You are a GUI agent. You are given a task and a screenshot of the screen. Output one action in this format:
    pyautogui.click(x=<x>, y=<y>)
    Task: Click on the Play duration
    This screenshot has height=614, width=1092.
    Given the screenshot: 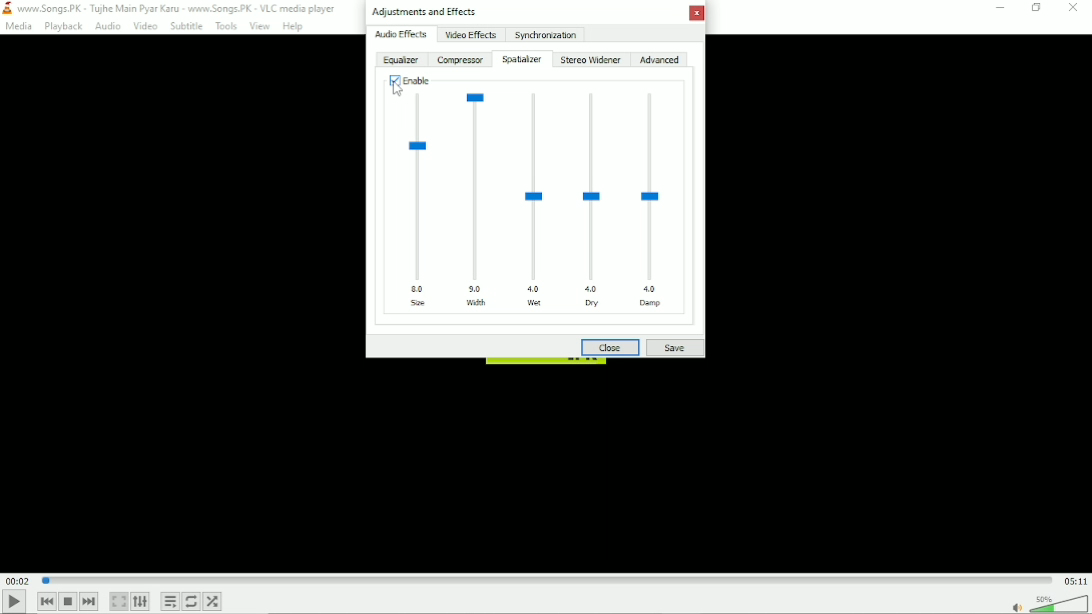 What is the action you would take?
    pyautogui.click(x=547, y=579)
    